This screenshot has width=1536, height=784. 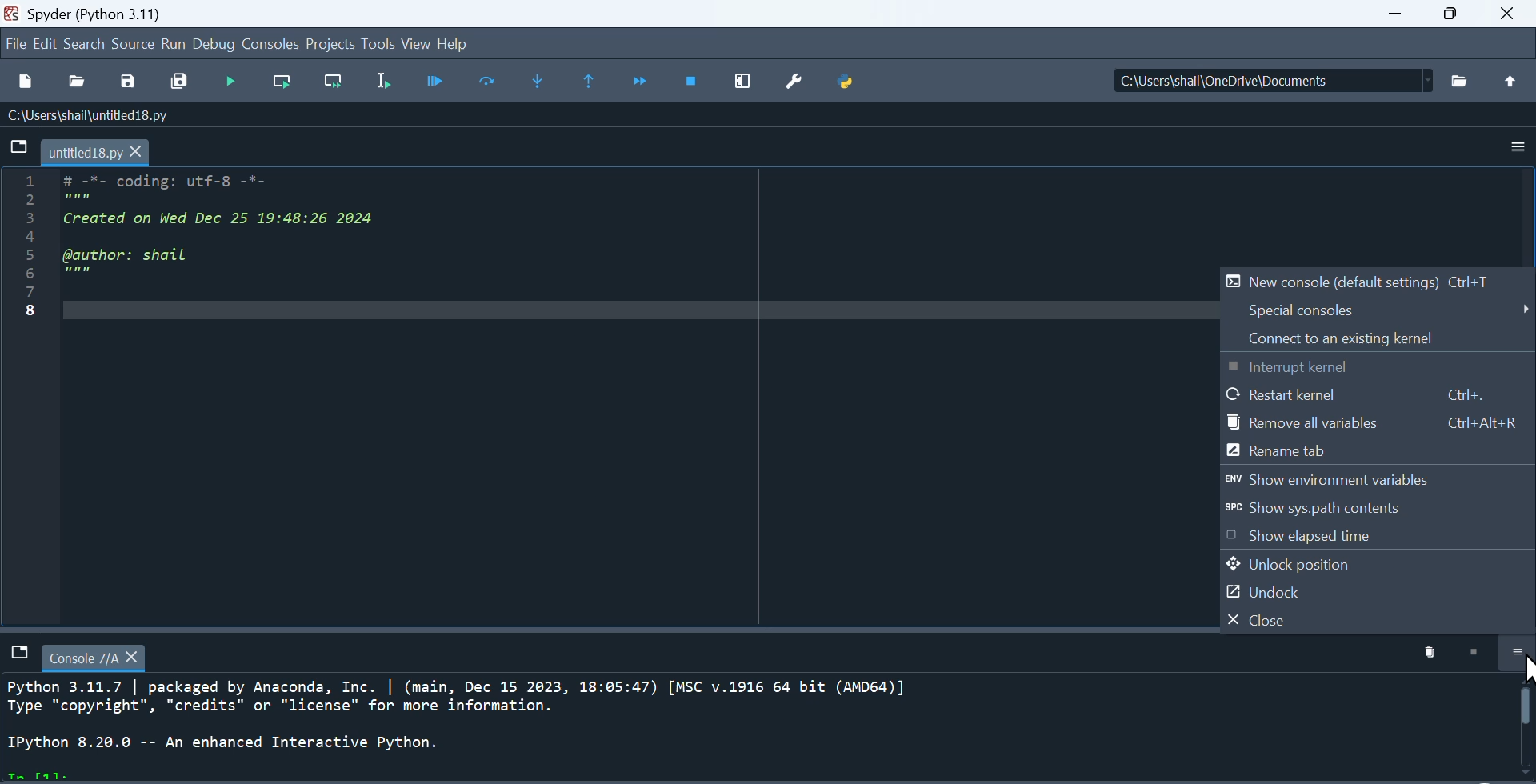 I want to click on special consoles, so click(x=1378, y=314).